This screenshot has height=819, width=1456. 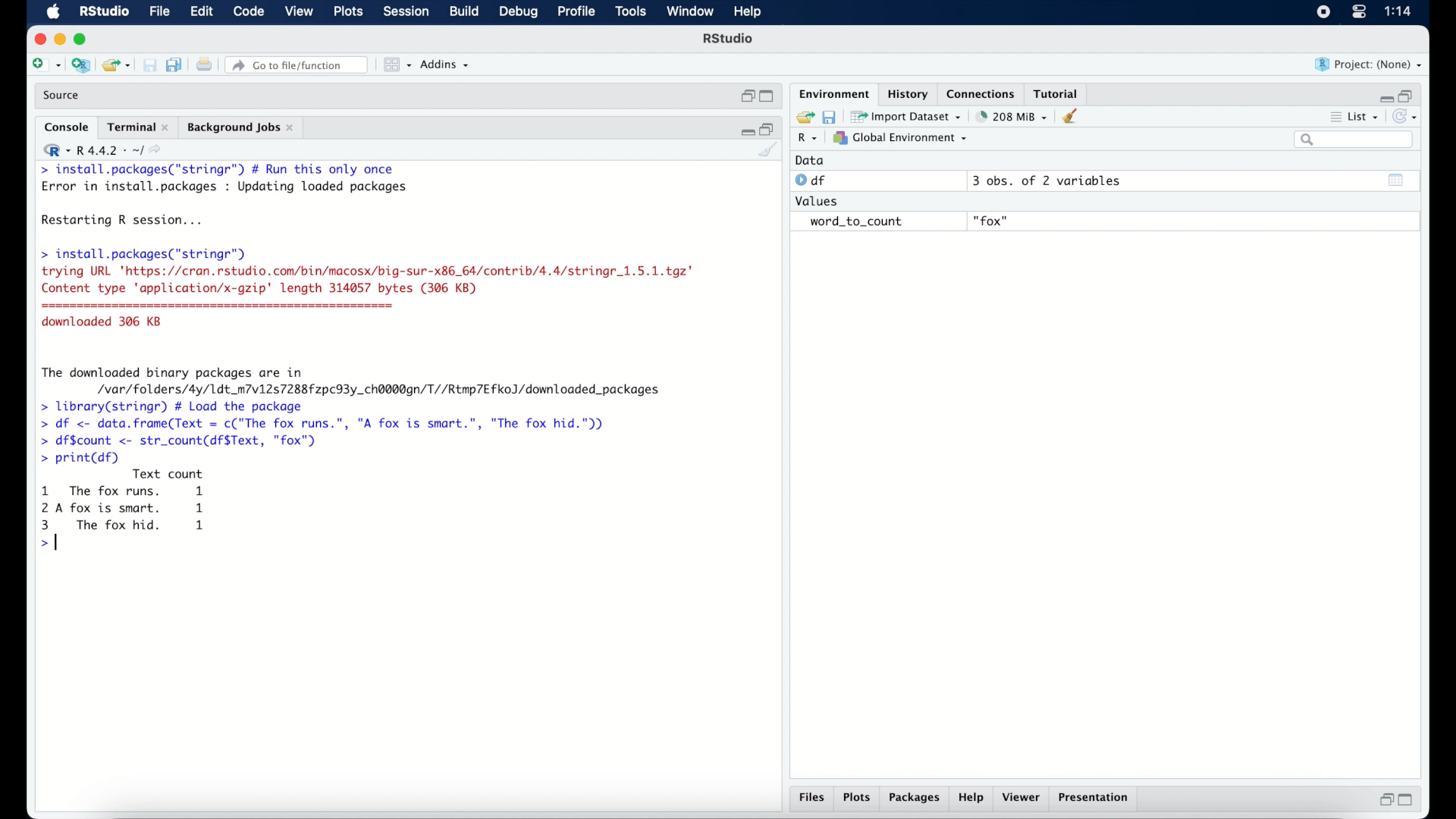 What do you see at coordinates (900, 137) in the screenshot?
I see `global environment` at bounding box center [900, 137].